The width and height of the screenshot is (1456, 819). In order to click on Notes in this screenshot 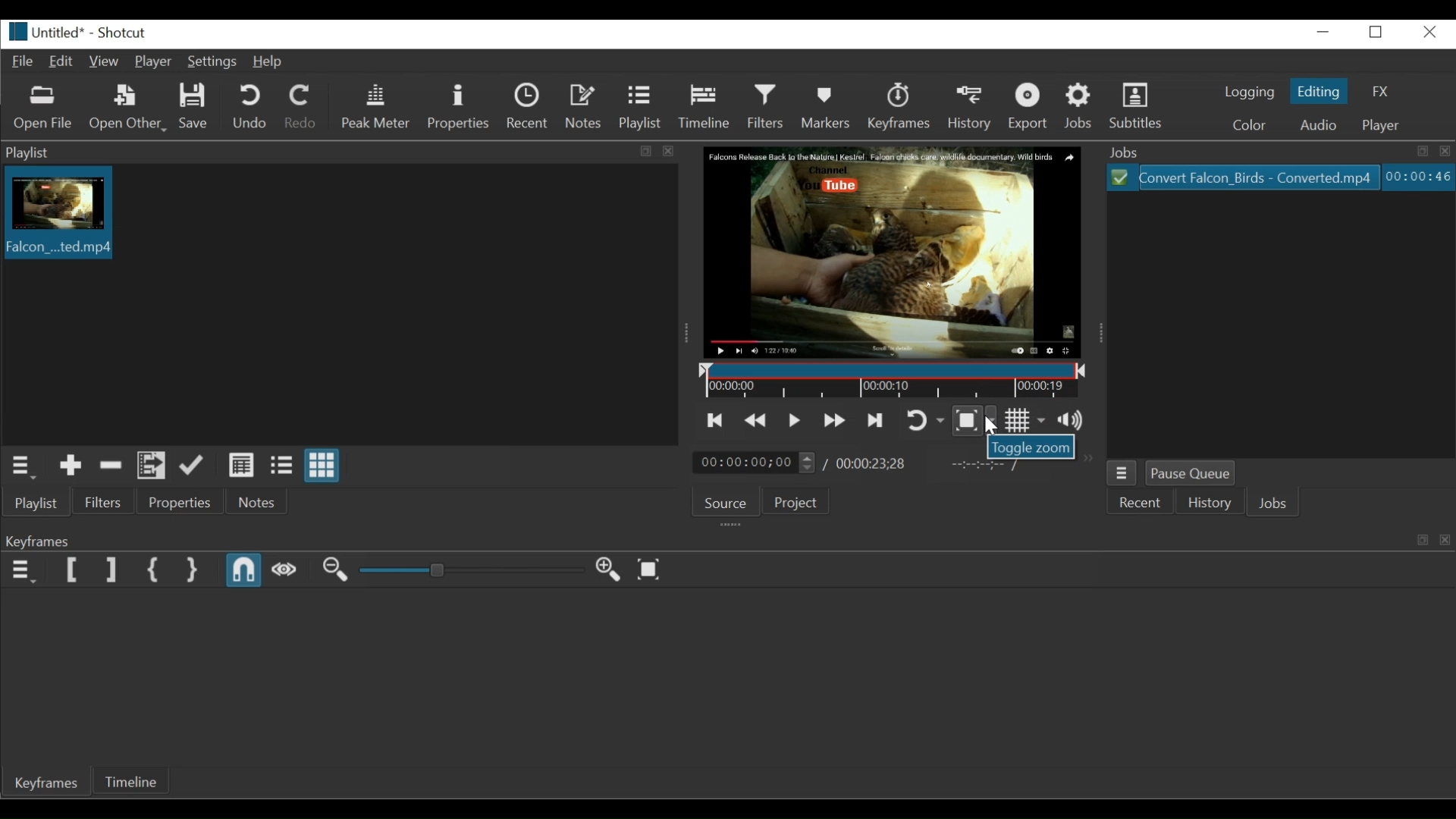, I will do `click(254, 500)`.